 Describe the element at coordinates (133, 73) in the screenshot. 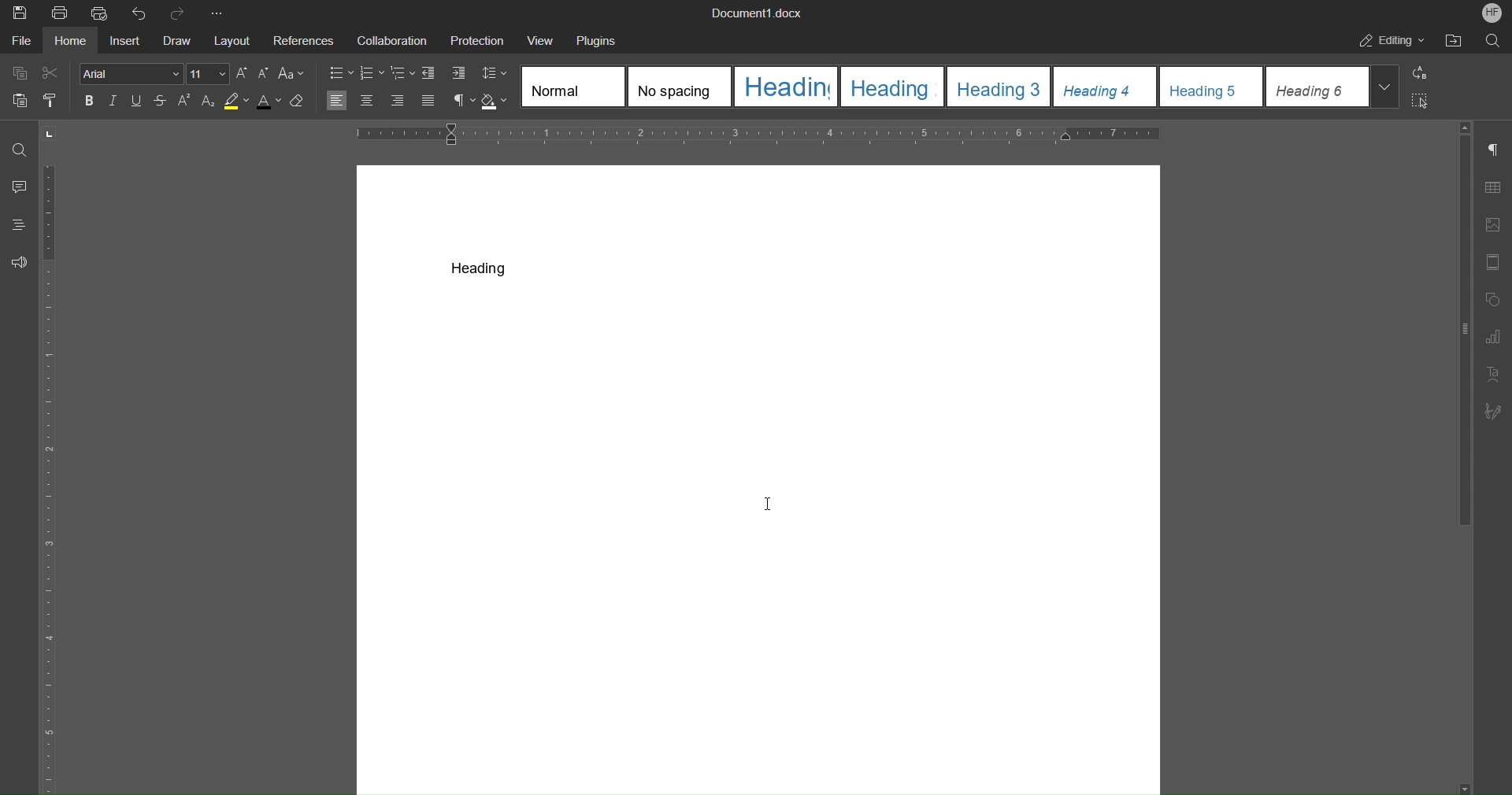

I see `arial` at that location.